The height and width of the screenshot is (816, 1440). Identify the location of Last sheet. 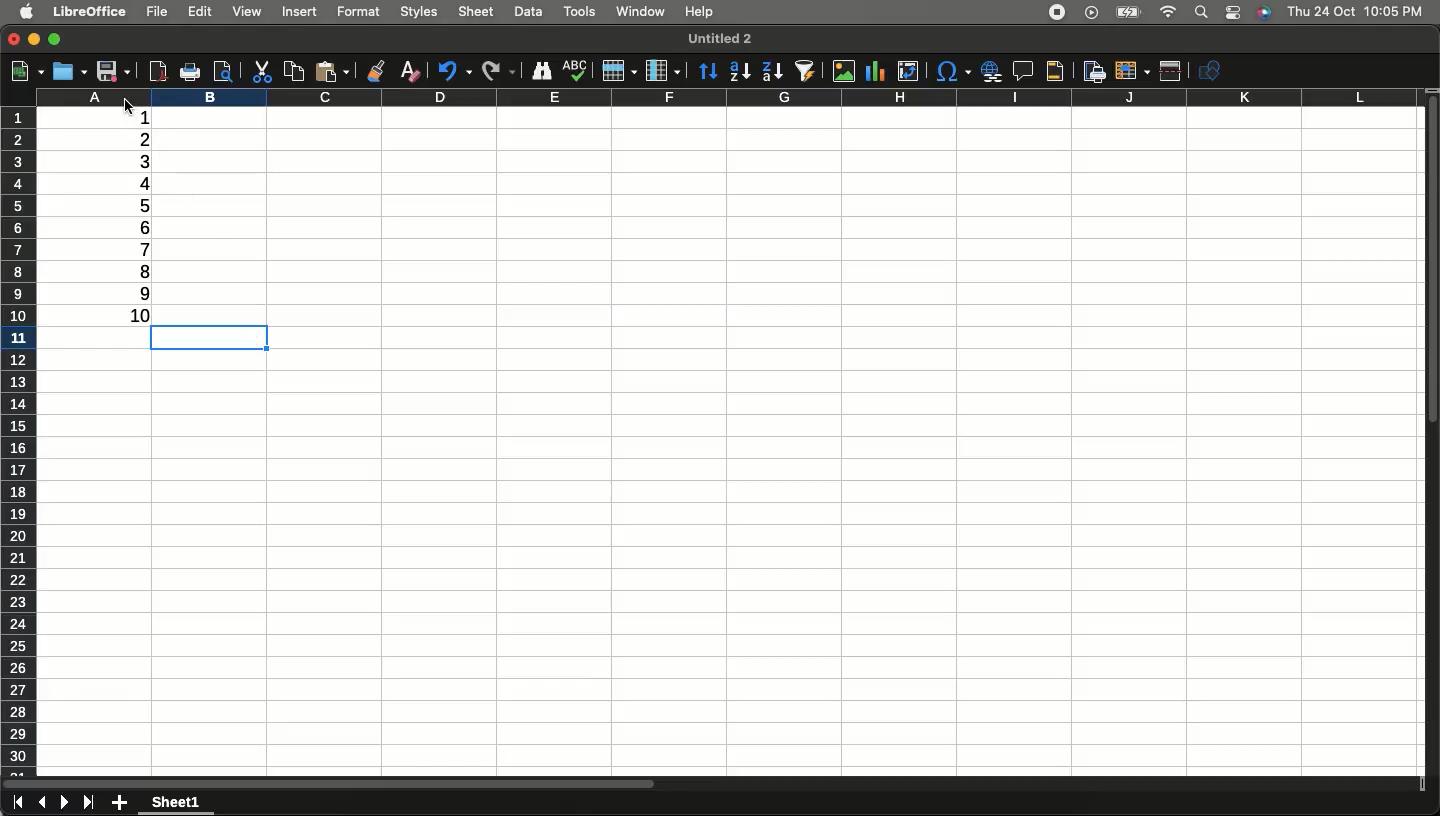
(89, 803).